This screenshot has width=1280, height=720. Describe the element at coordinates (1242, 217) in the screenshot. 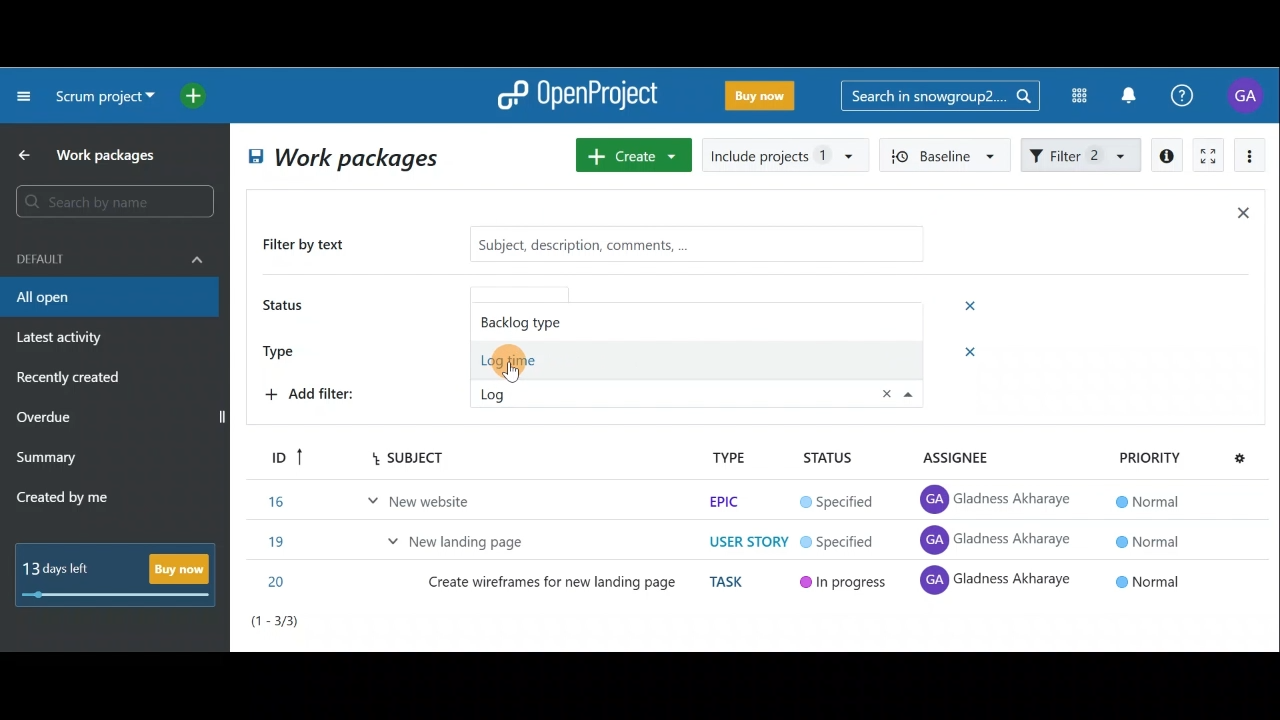

I see `Close` at that location.